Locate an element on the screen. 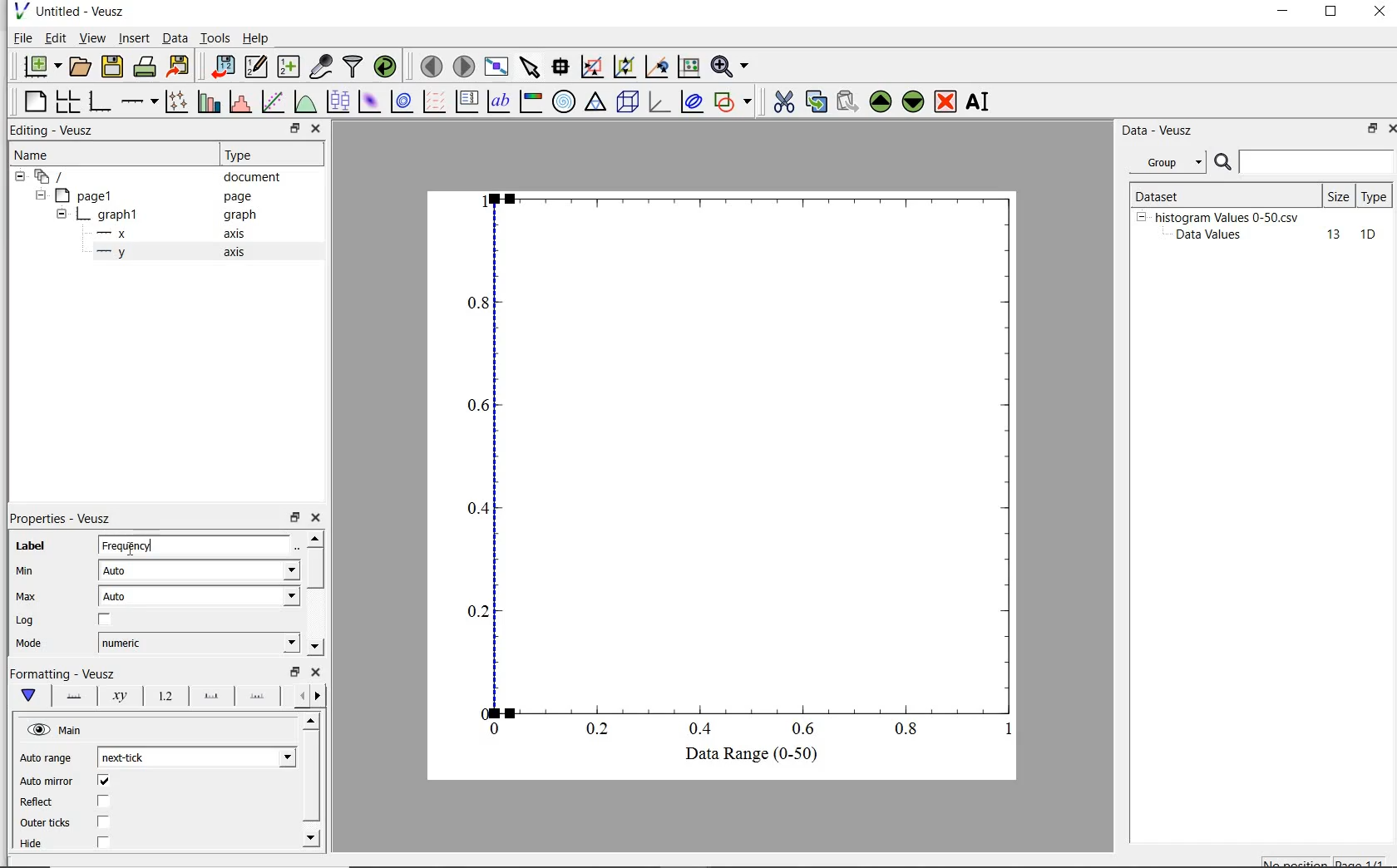 This screenshot has height=868, width=1397. major ticks is located at coordinates (210, 697).